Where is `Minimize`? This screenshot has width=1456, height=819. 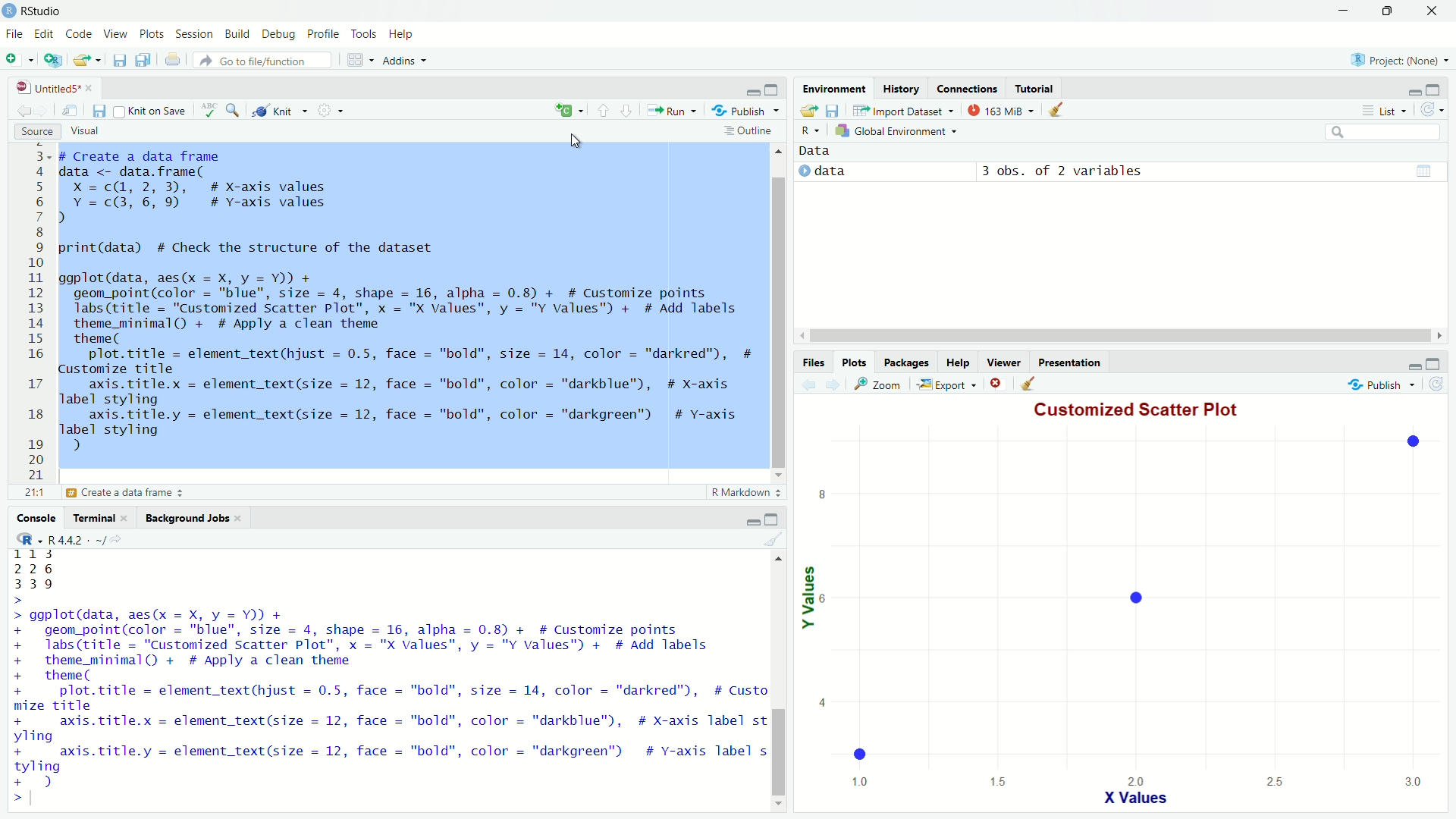
Minimize is located at coordinates (1412, 93).